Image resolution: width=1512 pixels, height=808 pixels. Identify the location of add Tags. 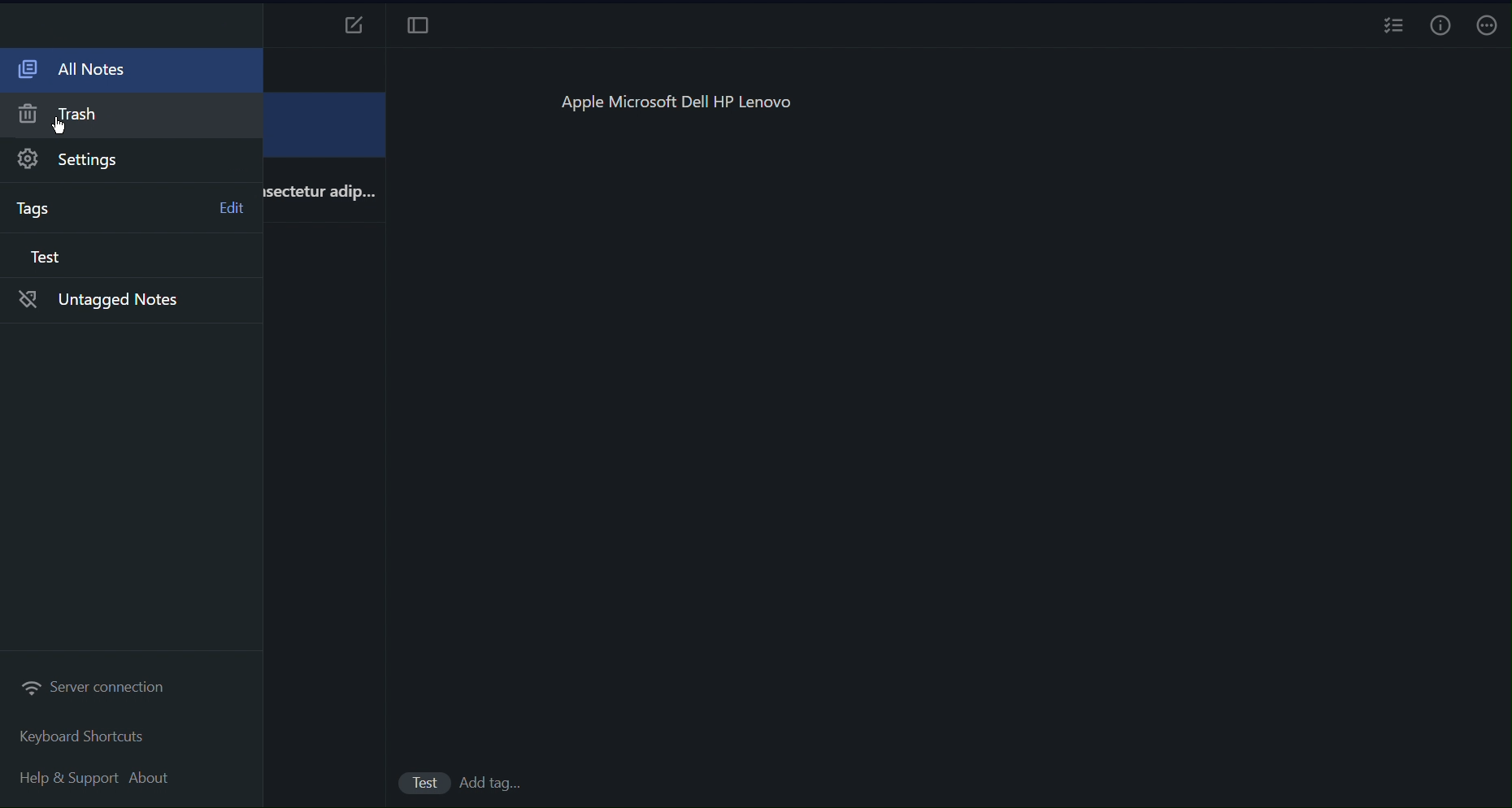
(486, 783).